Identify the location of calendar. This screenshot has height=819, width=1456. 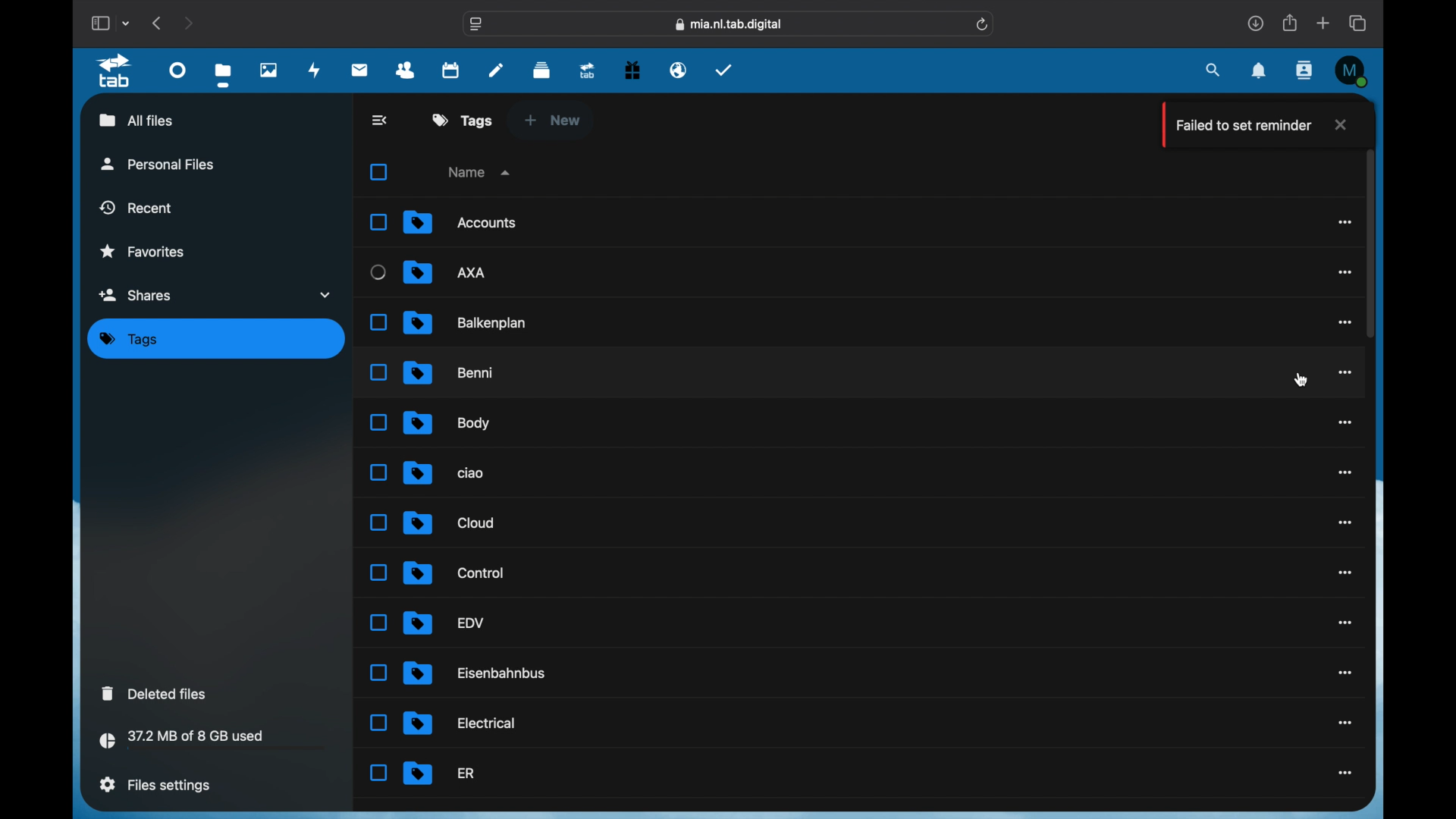
(452, 69).